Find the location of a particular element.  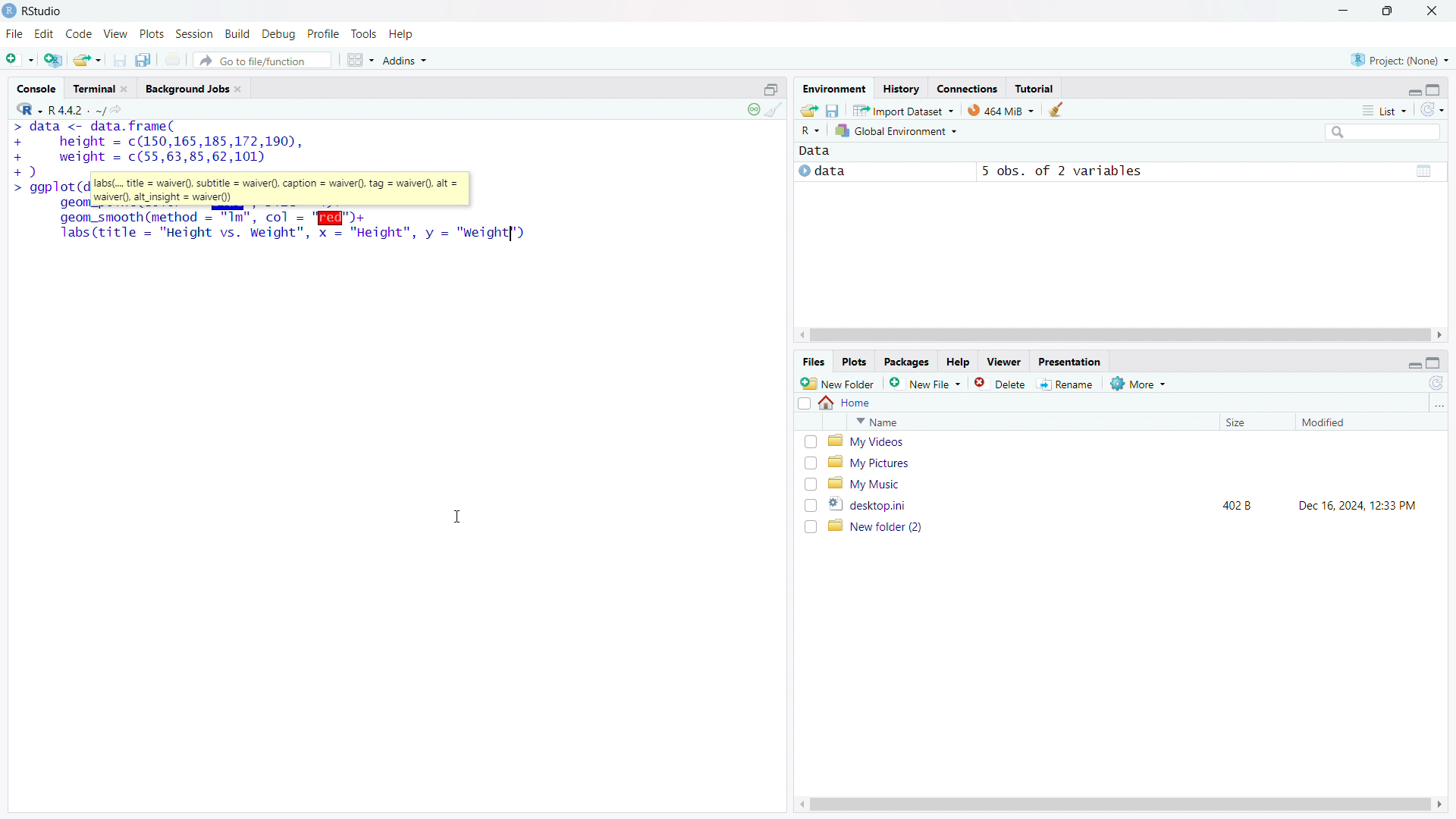

presentation is located at coordinates (1071, 361).